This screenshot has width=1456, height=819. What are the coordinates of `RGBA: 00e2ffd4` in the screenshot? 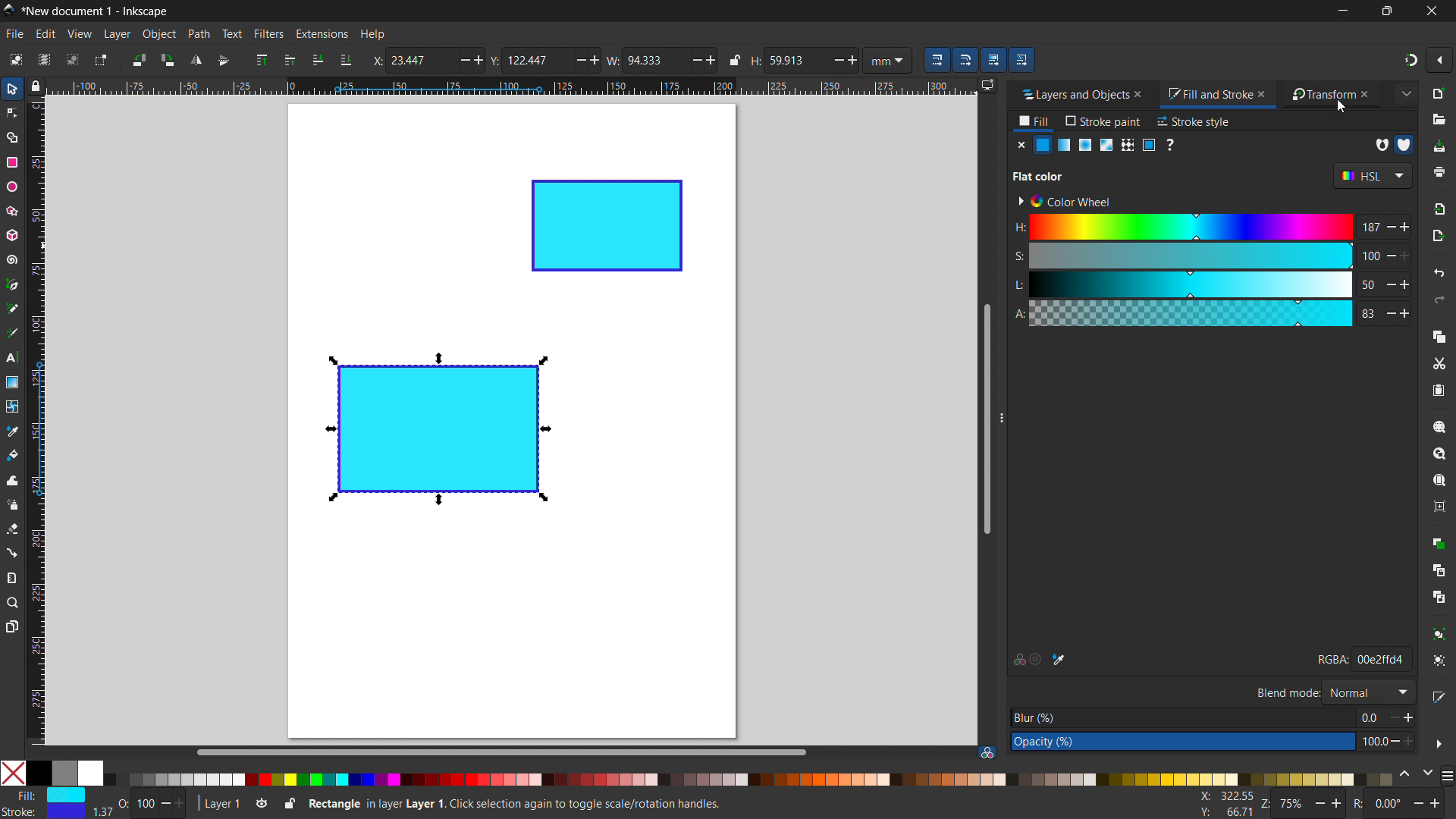 It's located at (1362, 658).